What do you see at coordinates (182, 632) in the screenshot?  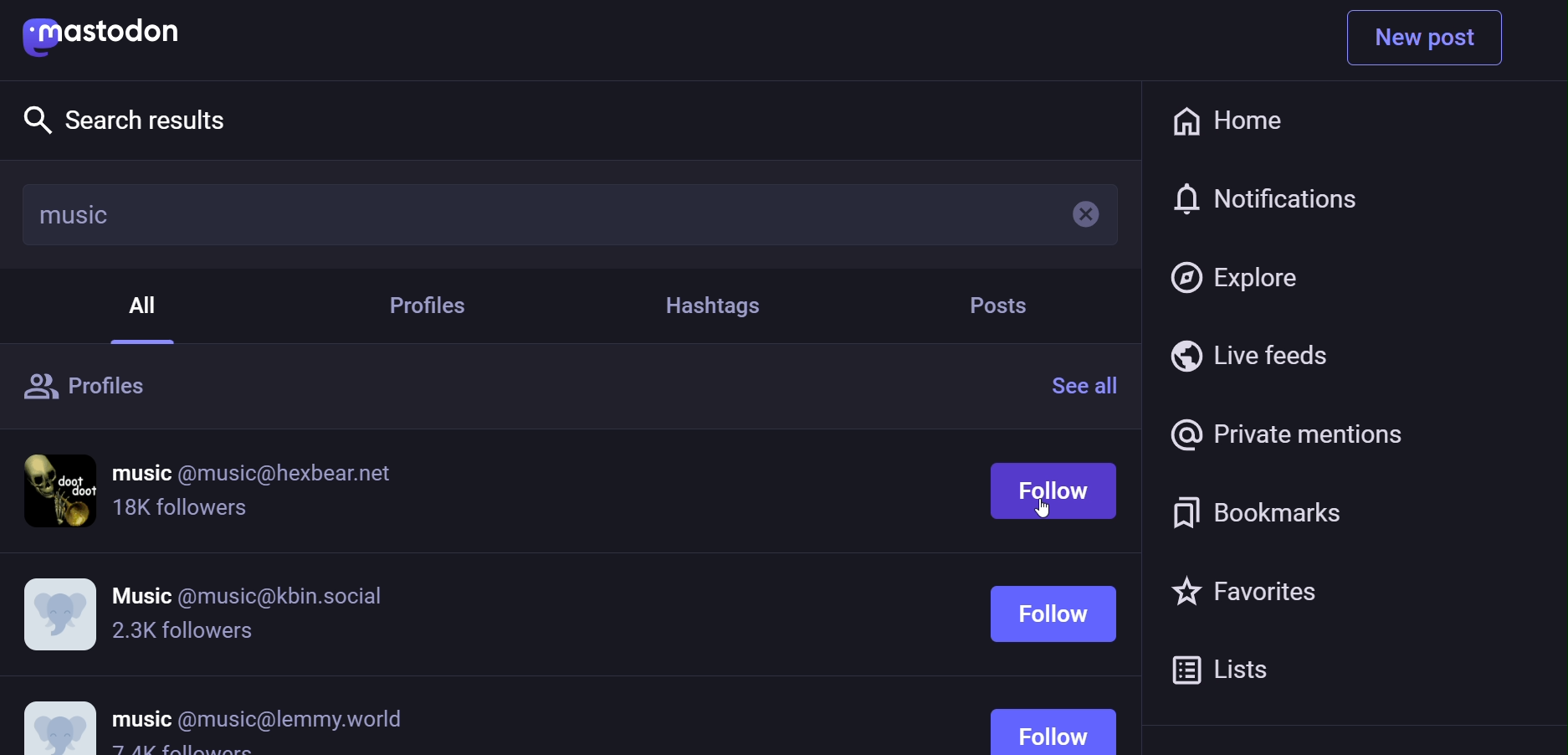 I see `followers` at bounding box center [182, 632].